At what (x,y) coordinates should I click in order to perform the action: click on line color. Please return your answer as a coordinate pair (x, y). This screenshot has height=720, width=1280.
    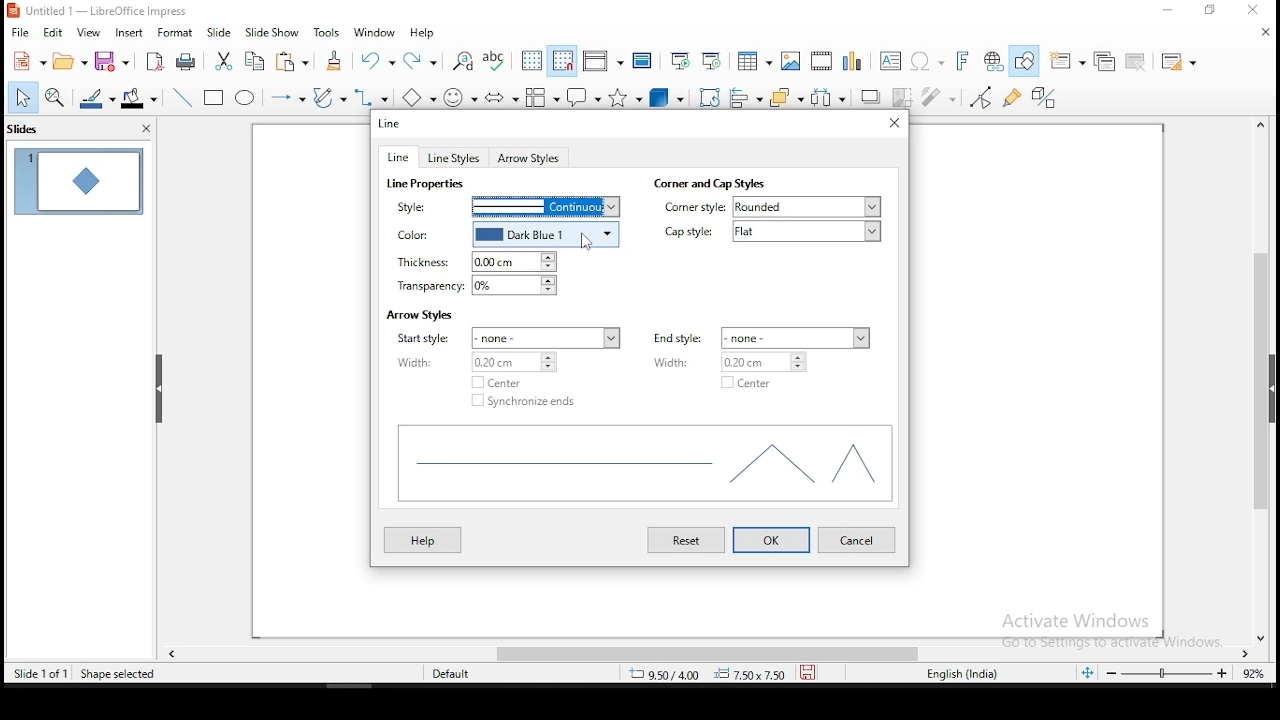
    Looking at the image, I should click on (95, 99).